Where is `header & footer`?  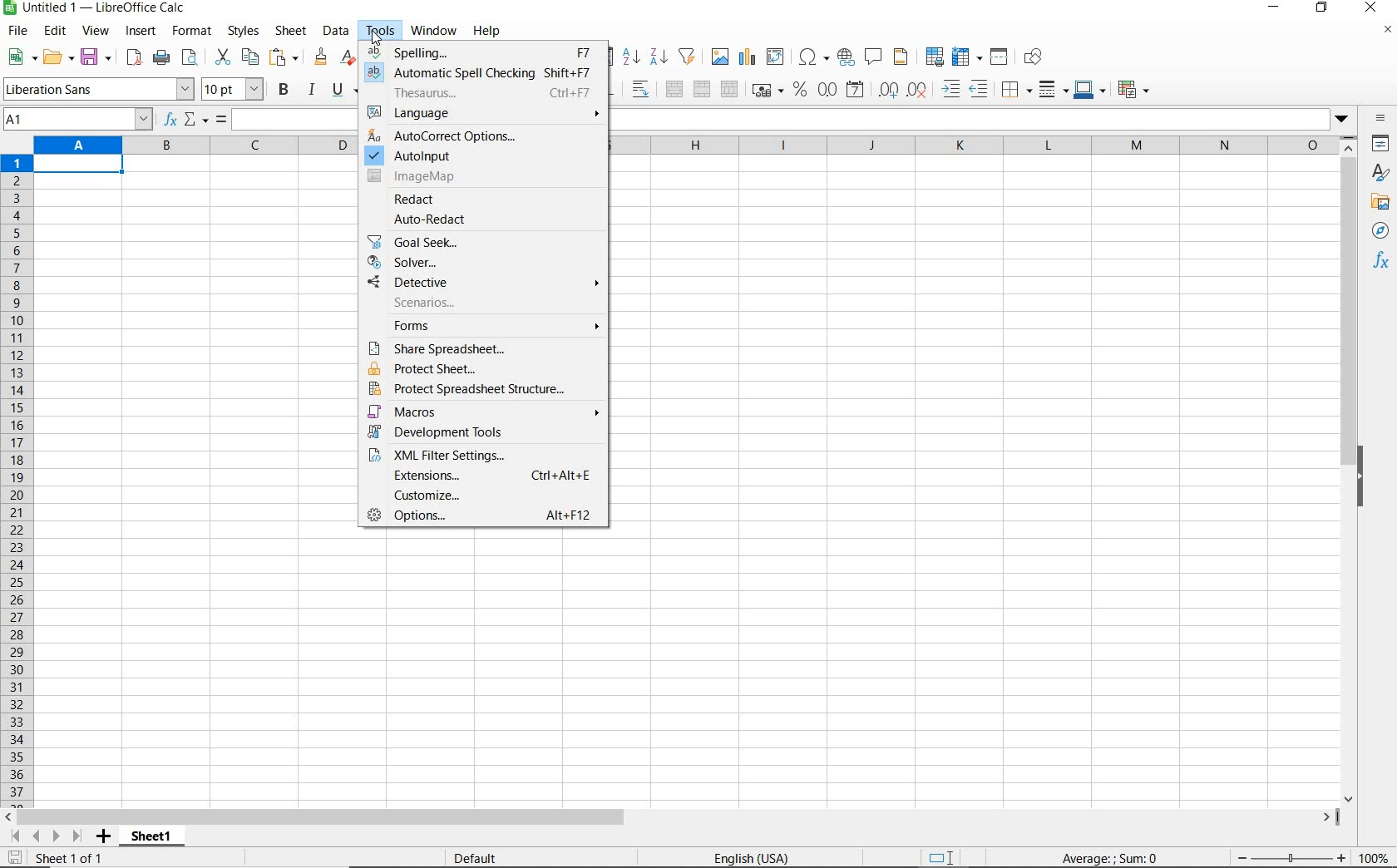 header & footer is located at coordinates (903, 57).